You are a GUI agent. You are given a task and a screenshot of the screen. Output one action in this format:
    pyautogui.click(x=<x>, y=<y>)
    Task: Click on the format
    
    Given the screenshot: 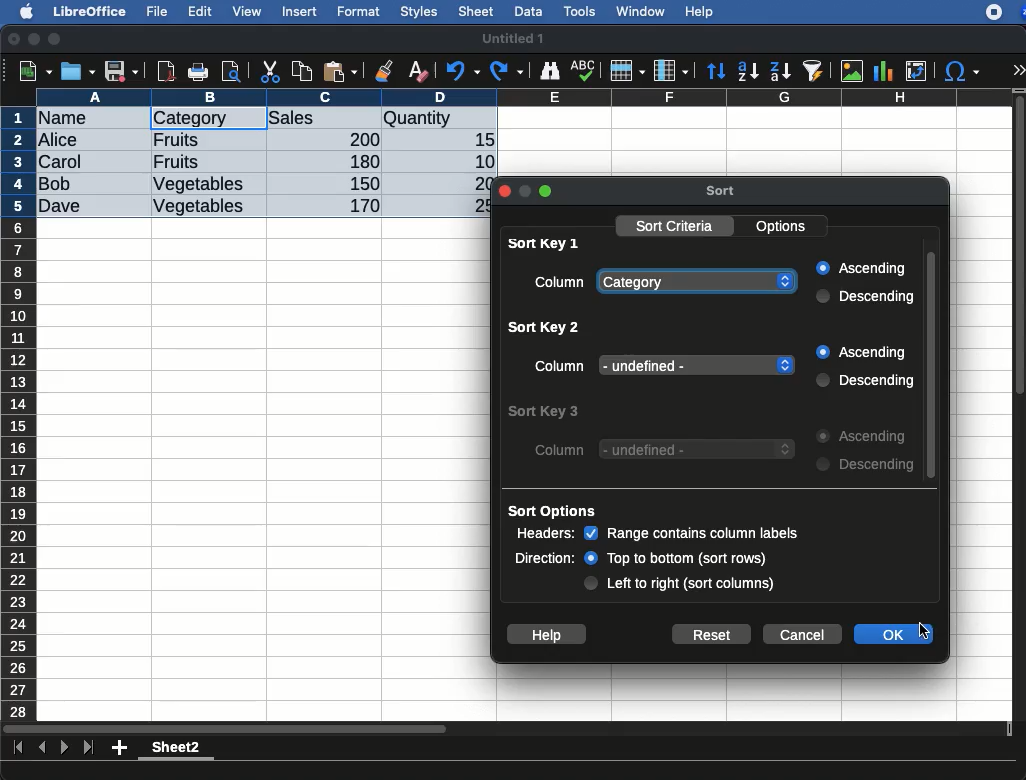 What is the action you would take?
    pyautogui.click(x=359, y=12)
    